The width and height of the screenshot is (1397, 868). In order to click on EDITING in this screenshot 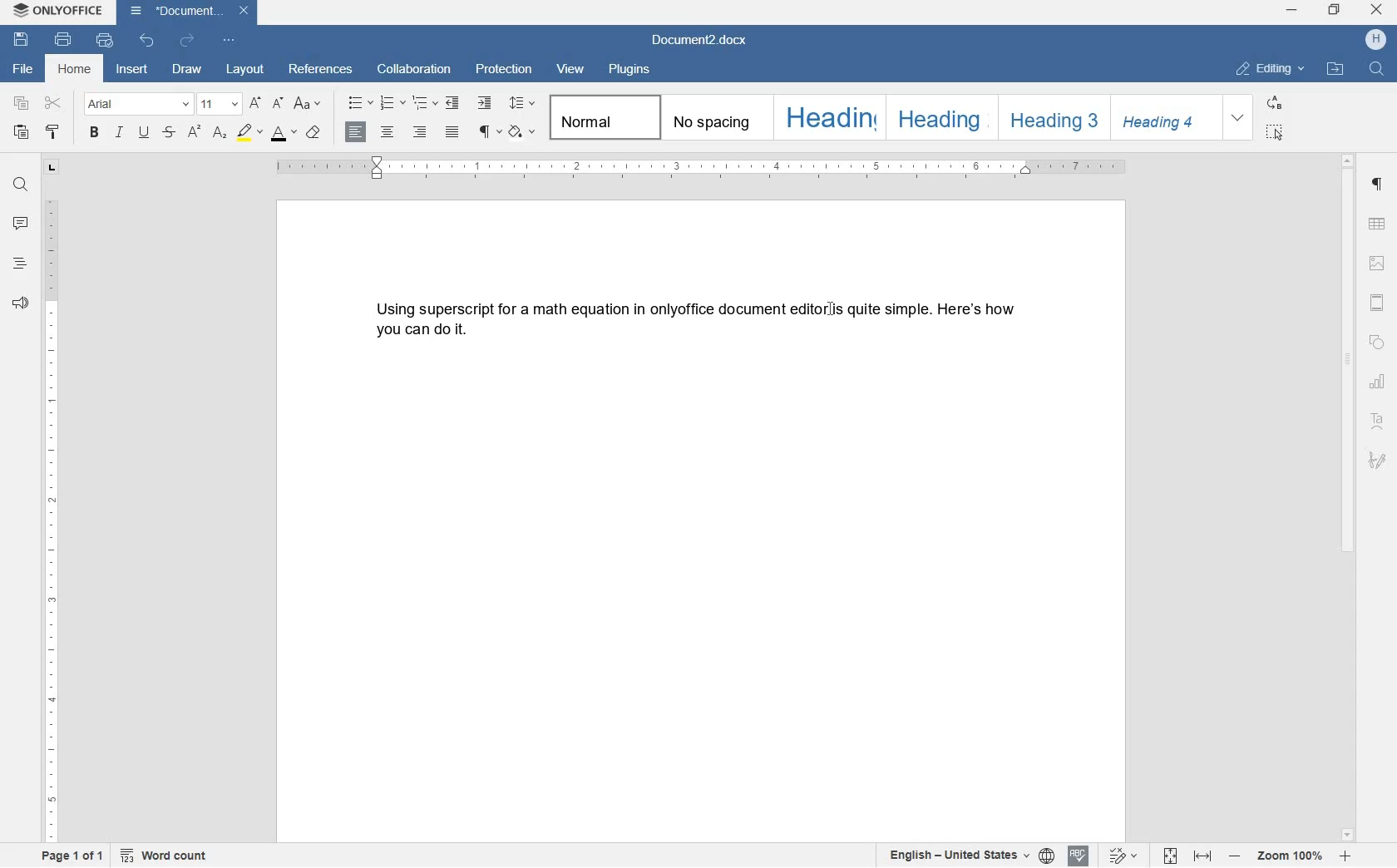, I will do `click(1272, 70)`.